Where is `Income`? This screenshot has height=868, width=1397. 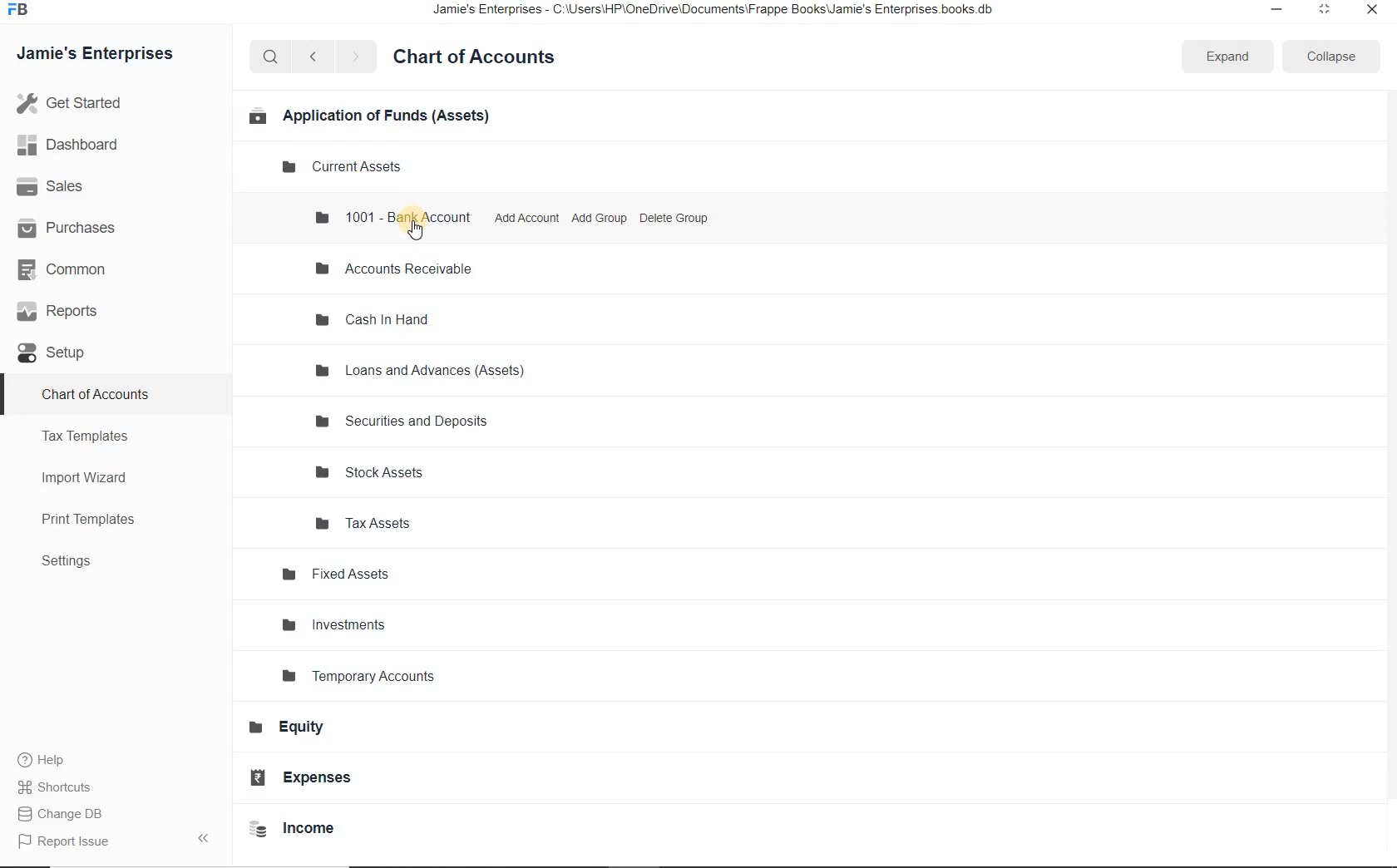
Income is located at coordinates (299, 829).